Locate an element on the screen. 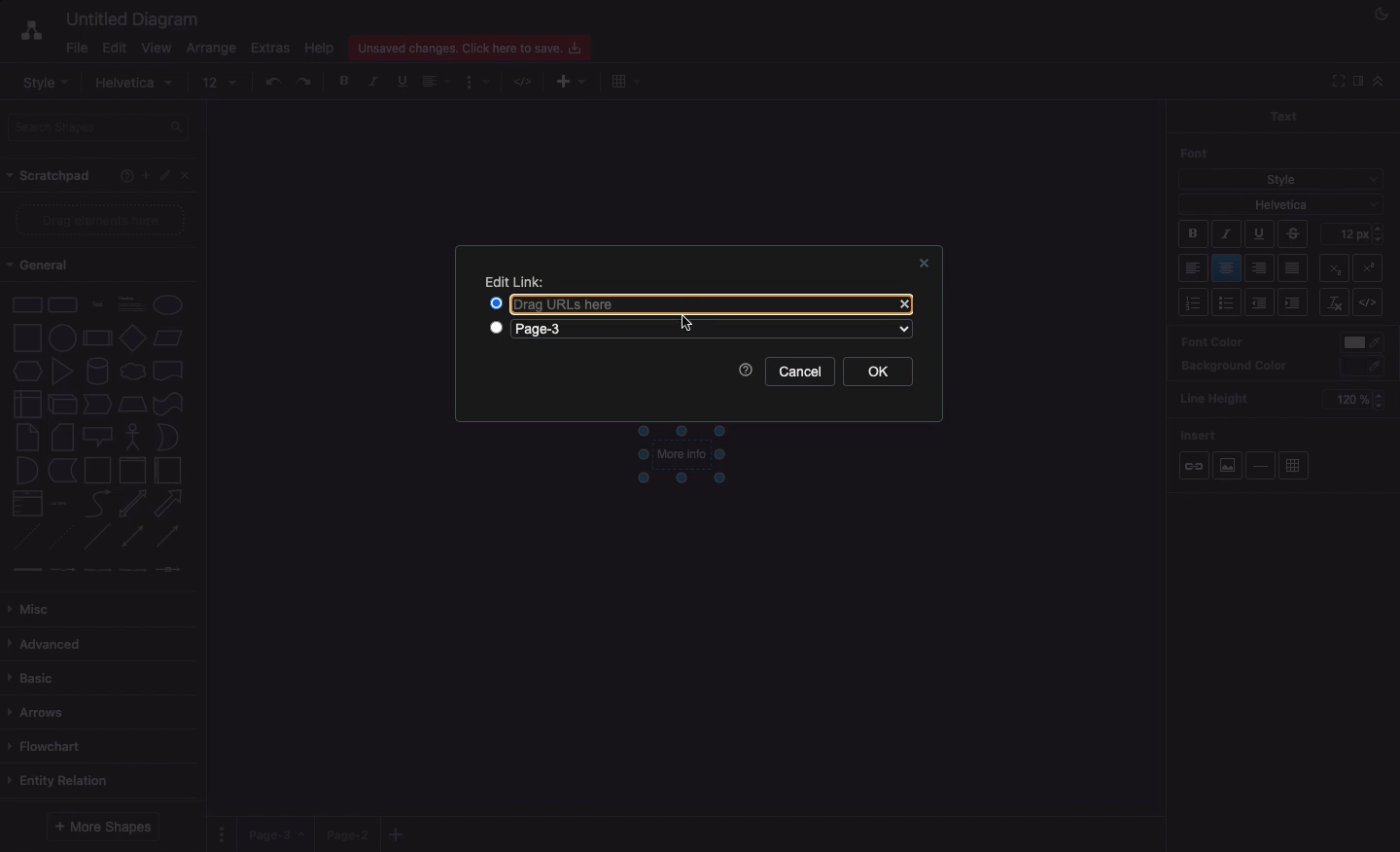 This screenshot has height=852, width=1400. Collapse is located at coordinates (1335, 82).